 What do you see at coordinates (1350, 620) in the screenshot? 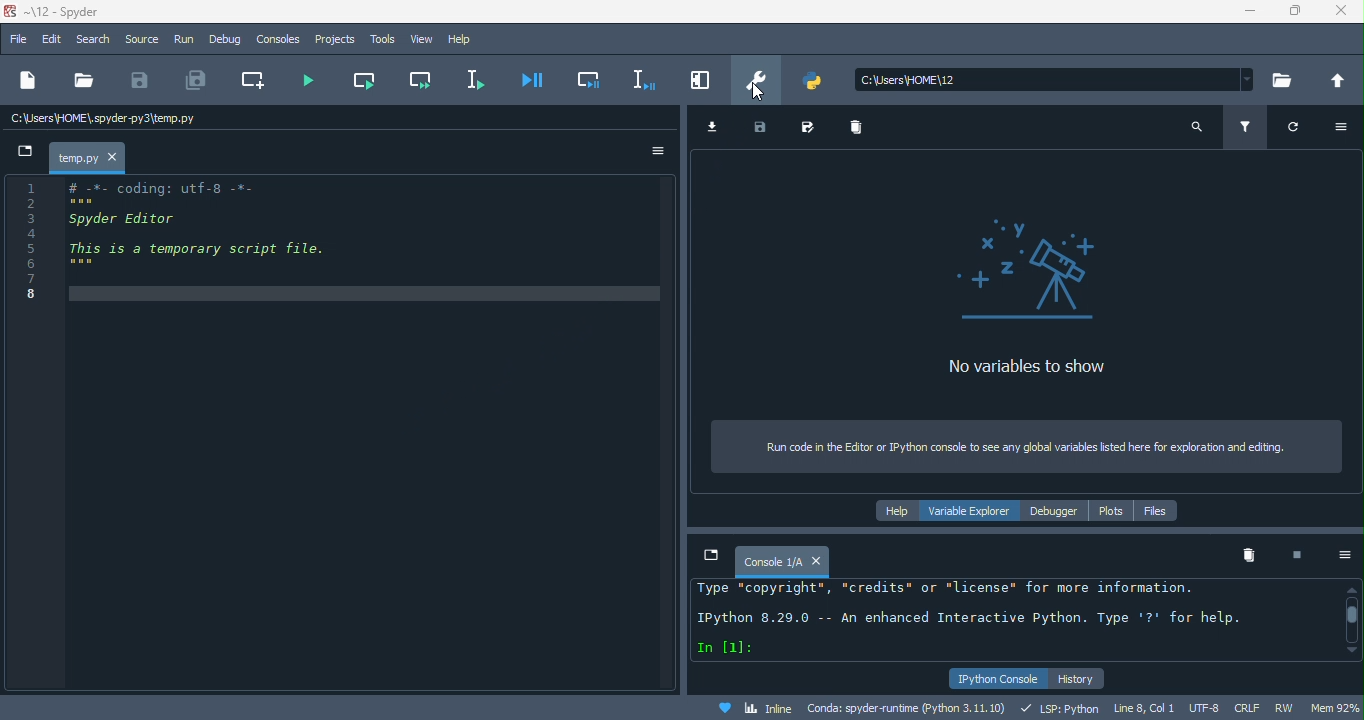
I see `vertical scroll bar` at bounding box center [1350, 620].